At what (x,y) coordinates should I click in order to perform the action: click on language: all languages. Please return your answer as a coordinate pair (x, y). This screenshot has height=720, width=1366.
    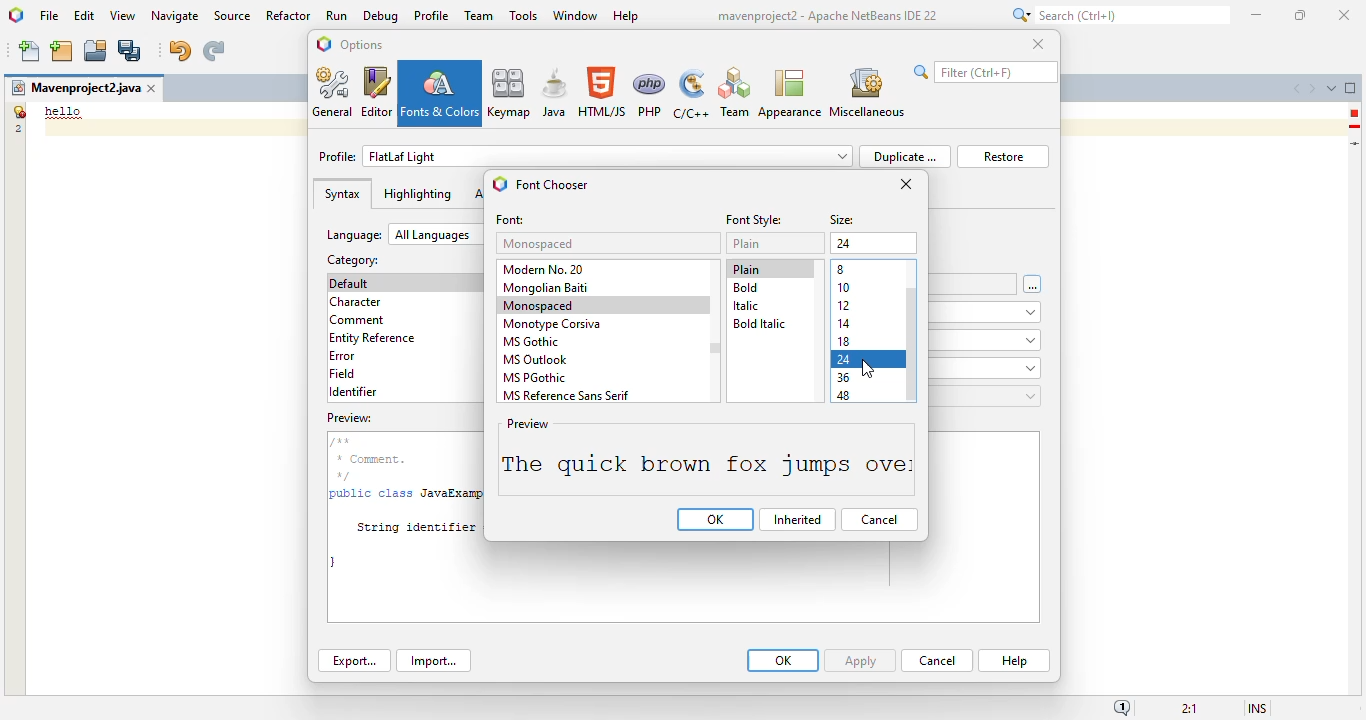
    Looking at the image, I should click on (404, 235).